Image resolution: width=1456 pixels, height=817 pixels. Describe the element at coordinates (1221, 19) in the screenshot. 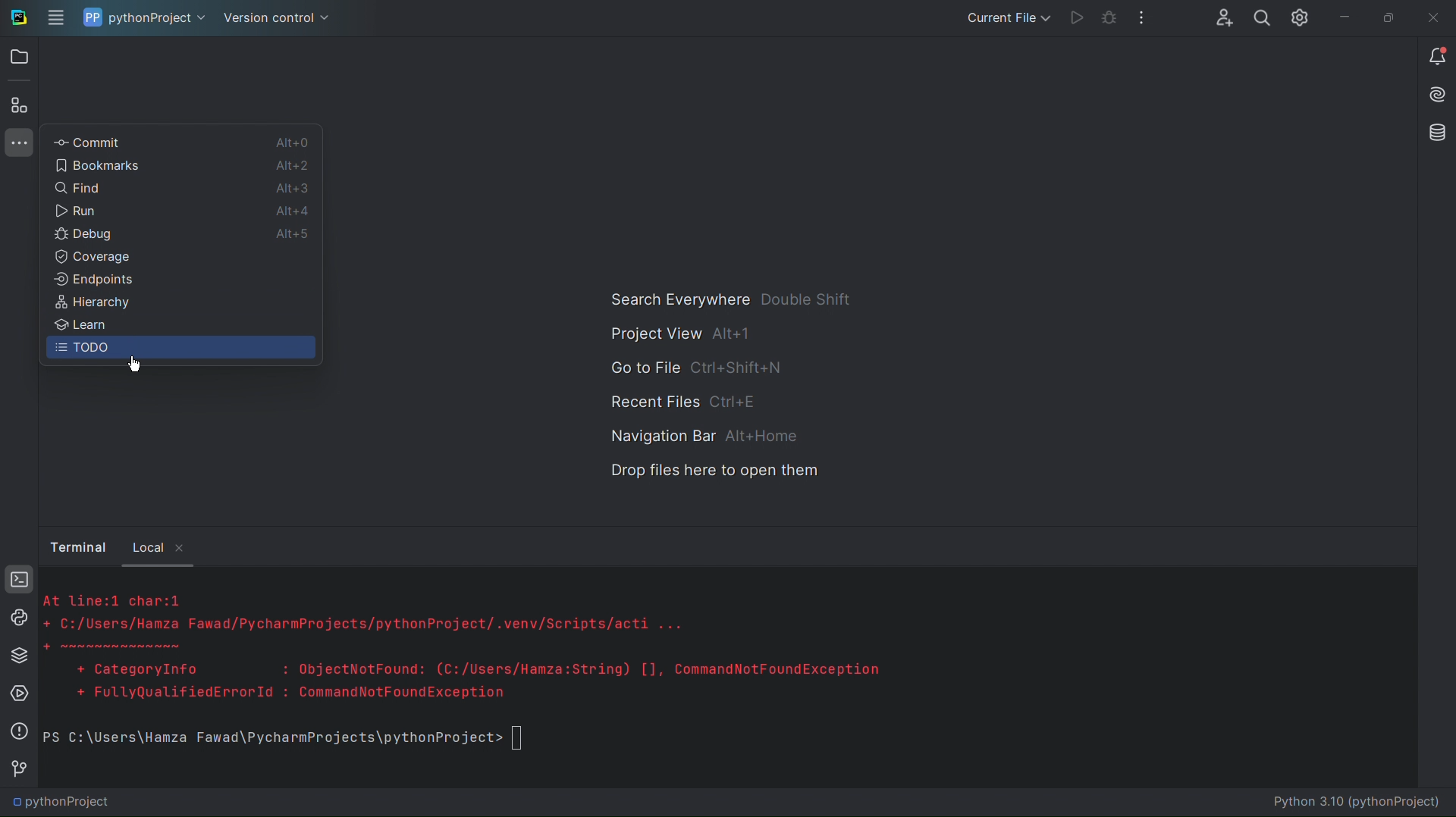

I see `Account` at that location.